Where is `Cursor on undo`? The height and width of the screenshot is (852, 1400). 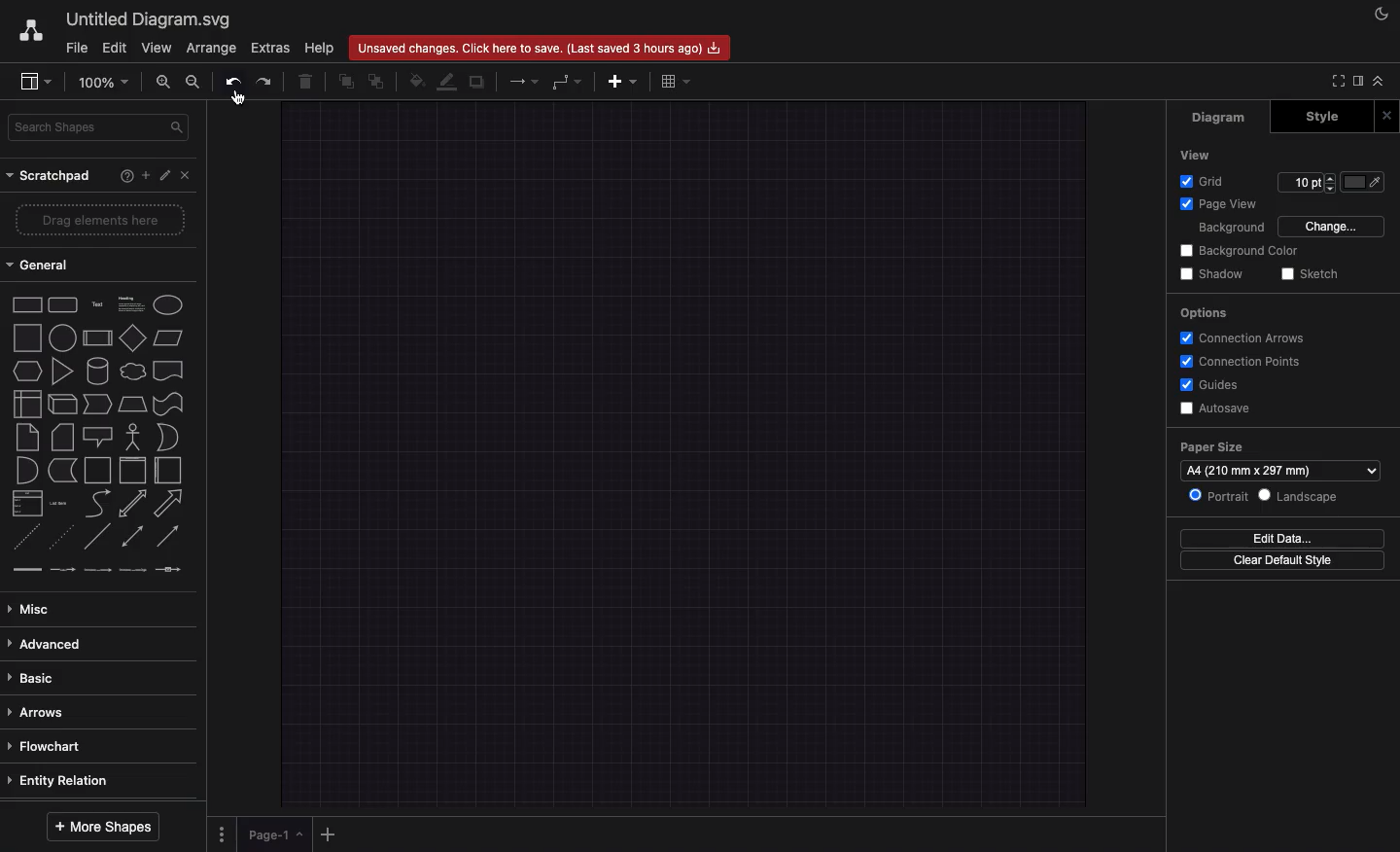 Cursor on undo is located at coordinates (239, 100).